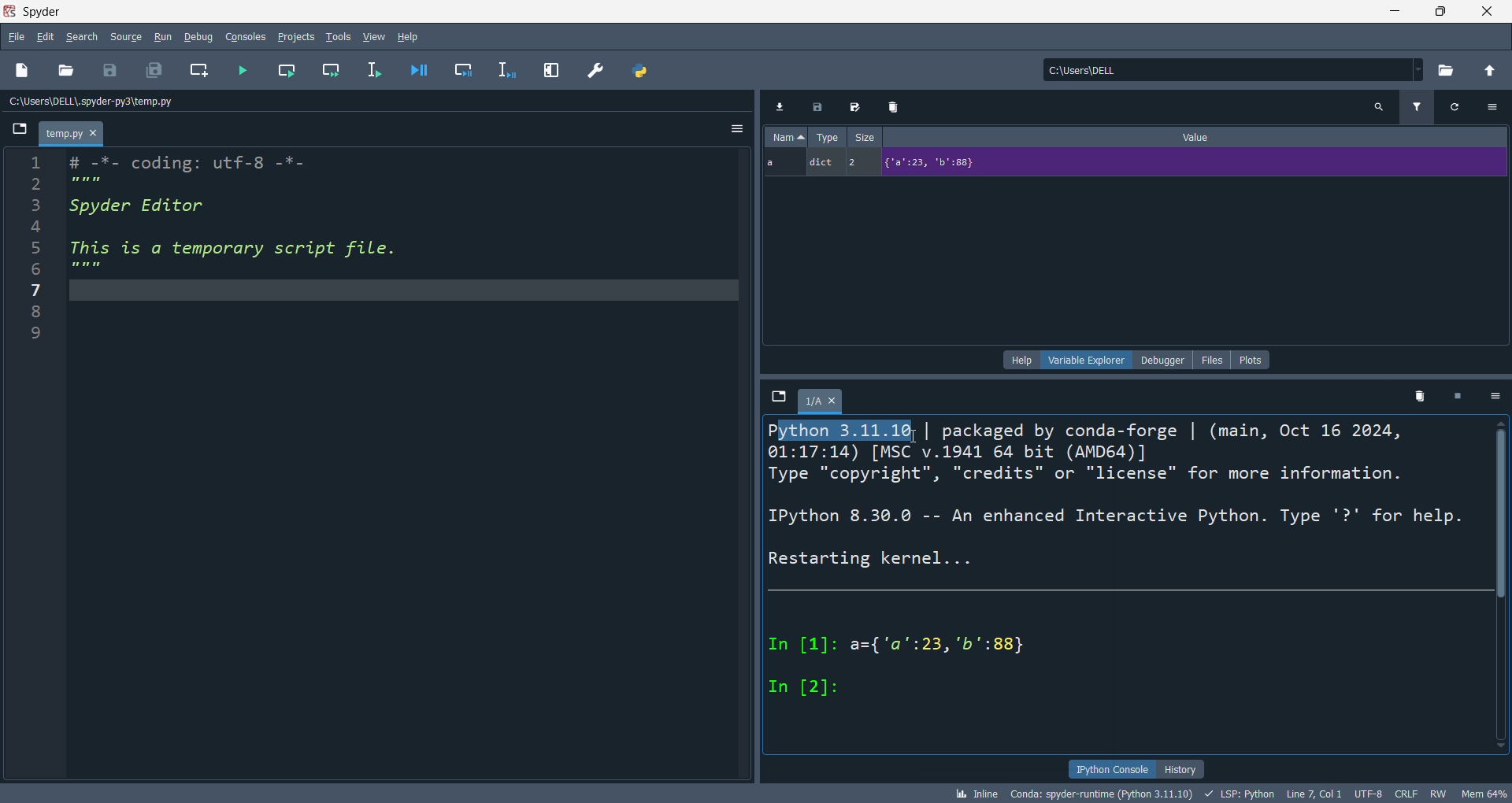 Image resolution: width=1512 pixels, height=803 pixels. What do you see at coordinates (1492, 72) in the screenshot?
I see `open parent directory` at bounding box center [1492, 72].